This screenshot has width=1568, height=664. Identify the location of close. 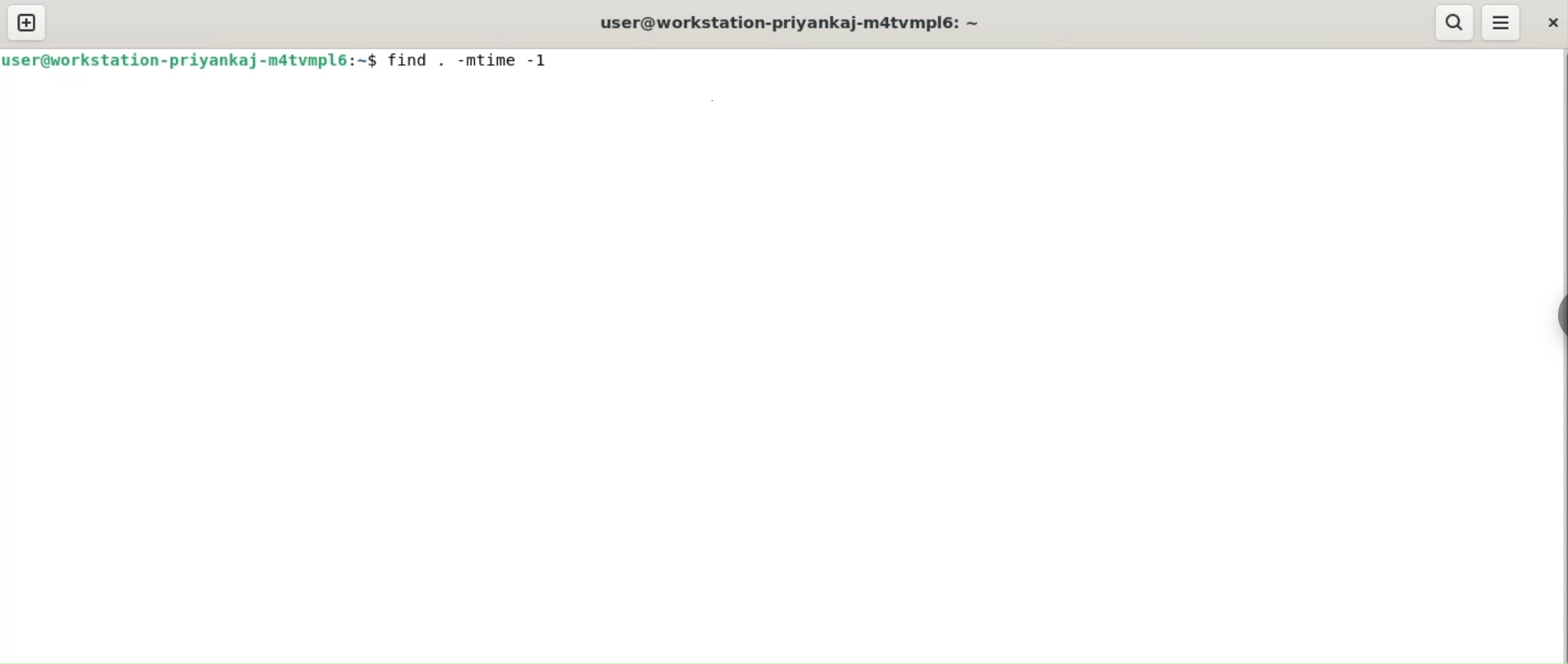
(1550, 23).